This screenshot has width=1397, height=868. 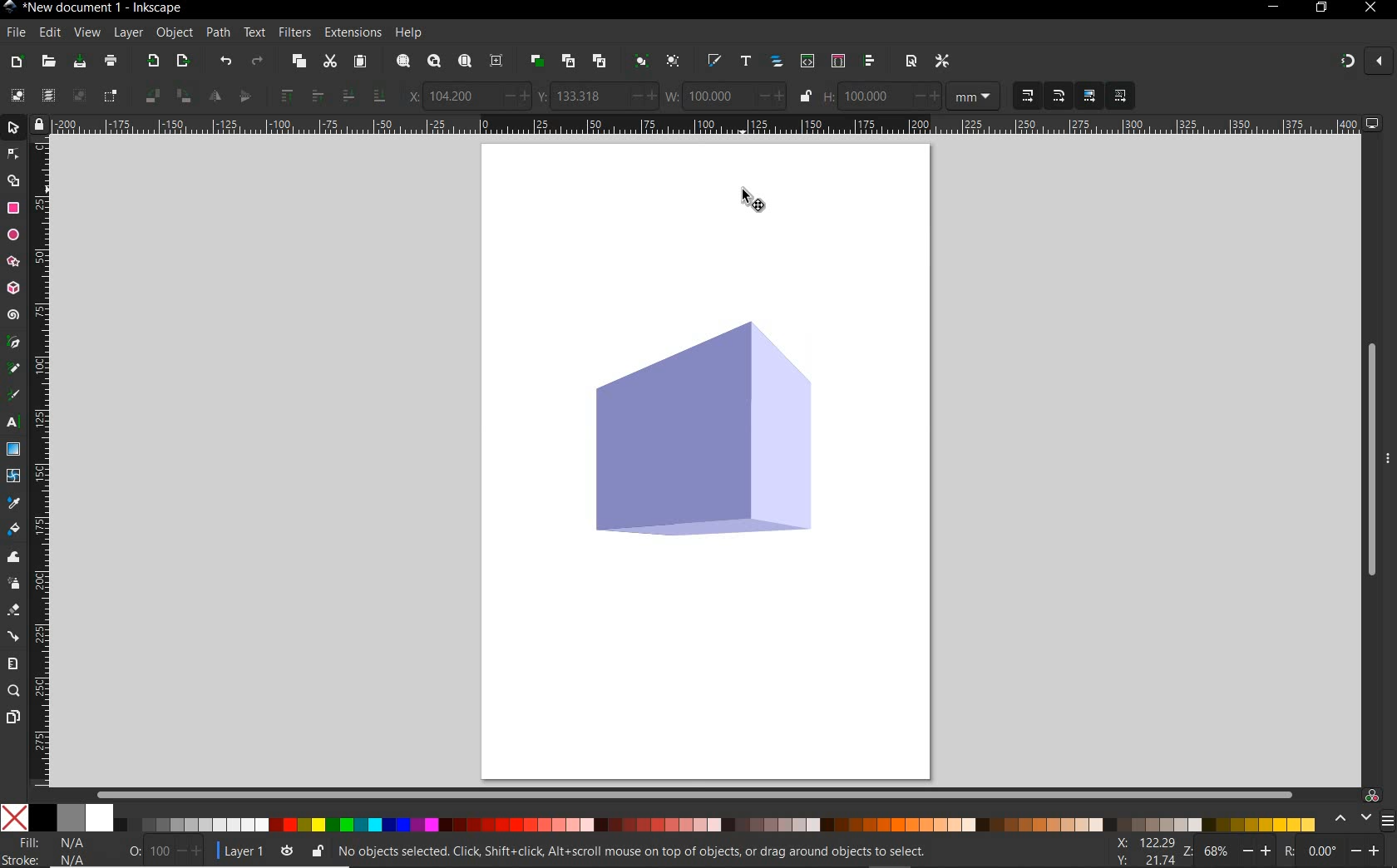 I want to click on w, so click(x=672, y=96).